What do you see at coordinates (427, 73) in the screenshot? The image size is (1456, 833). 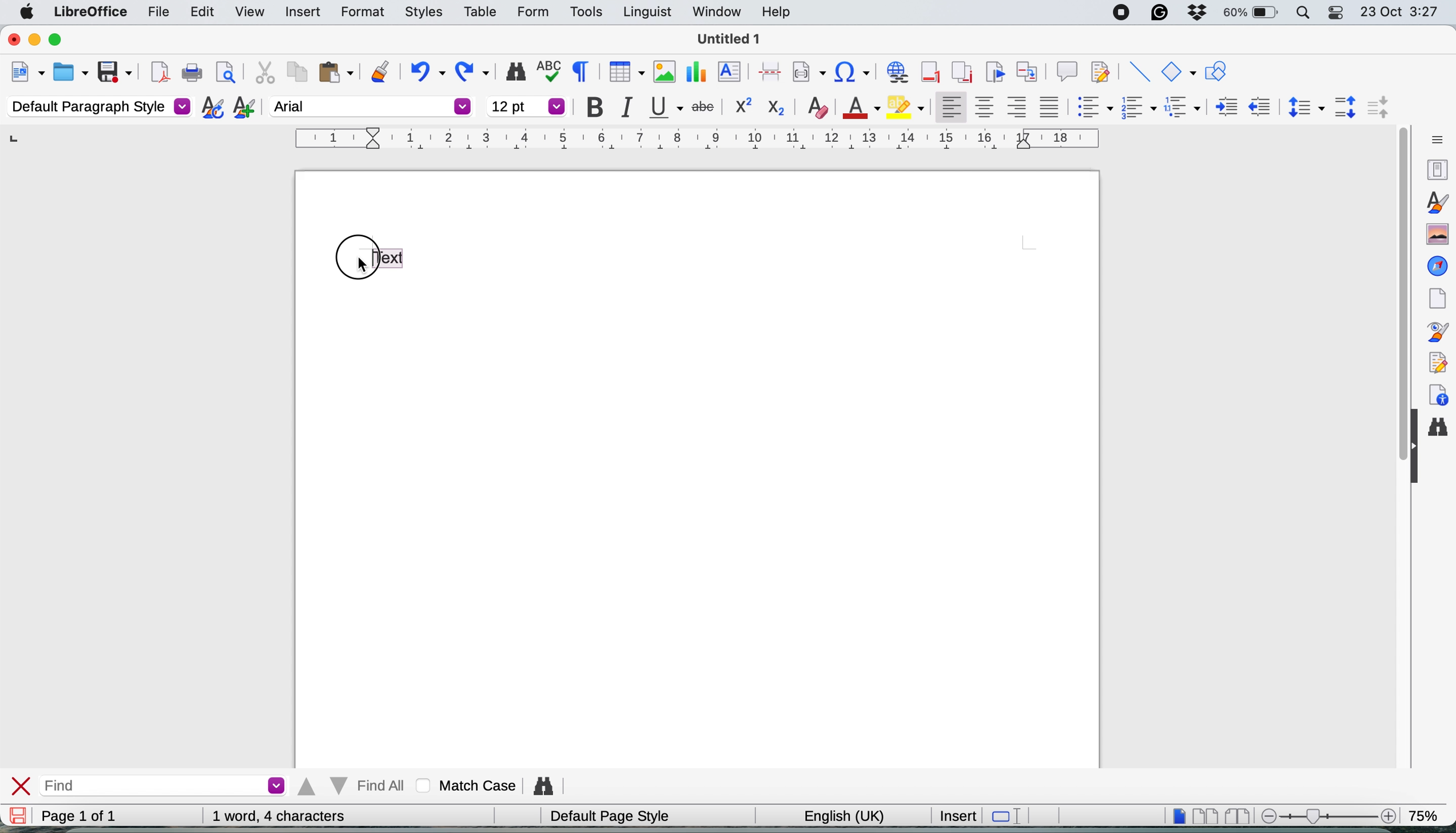 I see `undo` at bounding box center [427, 73].